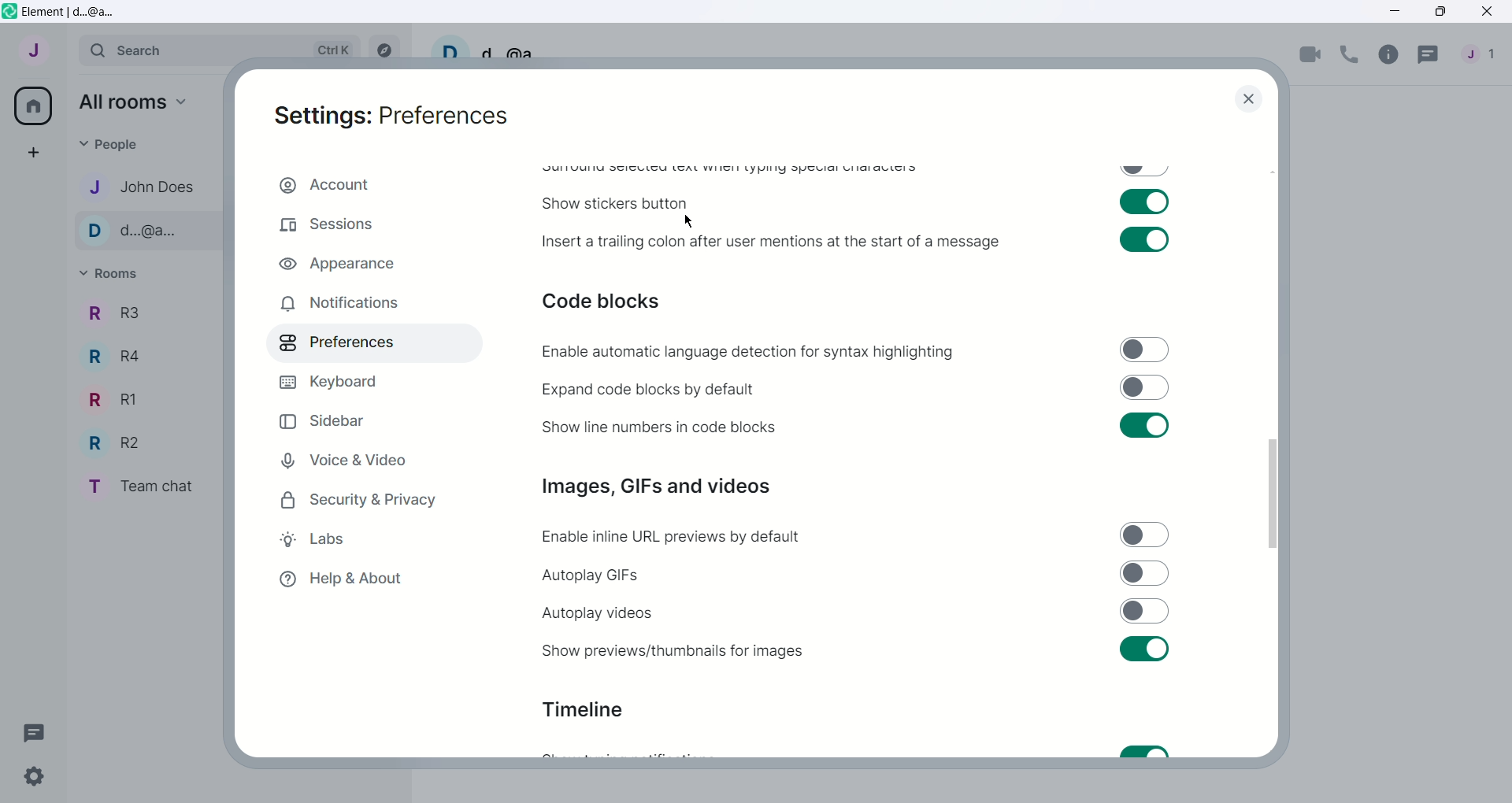 Image resolution: width=1512 pixels, height=803 pixels. Describe the element at coordinates (358, 499) in the screenshot. I see `Security and Privacy` at that location.